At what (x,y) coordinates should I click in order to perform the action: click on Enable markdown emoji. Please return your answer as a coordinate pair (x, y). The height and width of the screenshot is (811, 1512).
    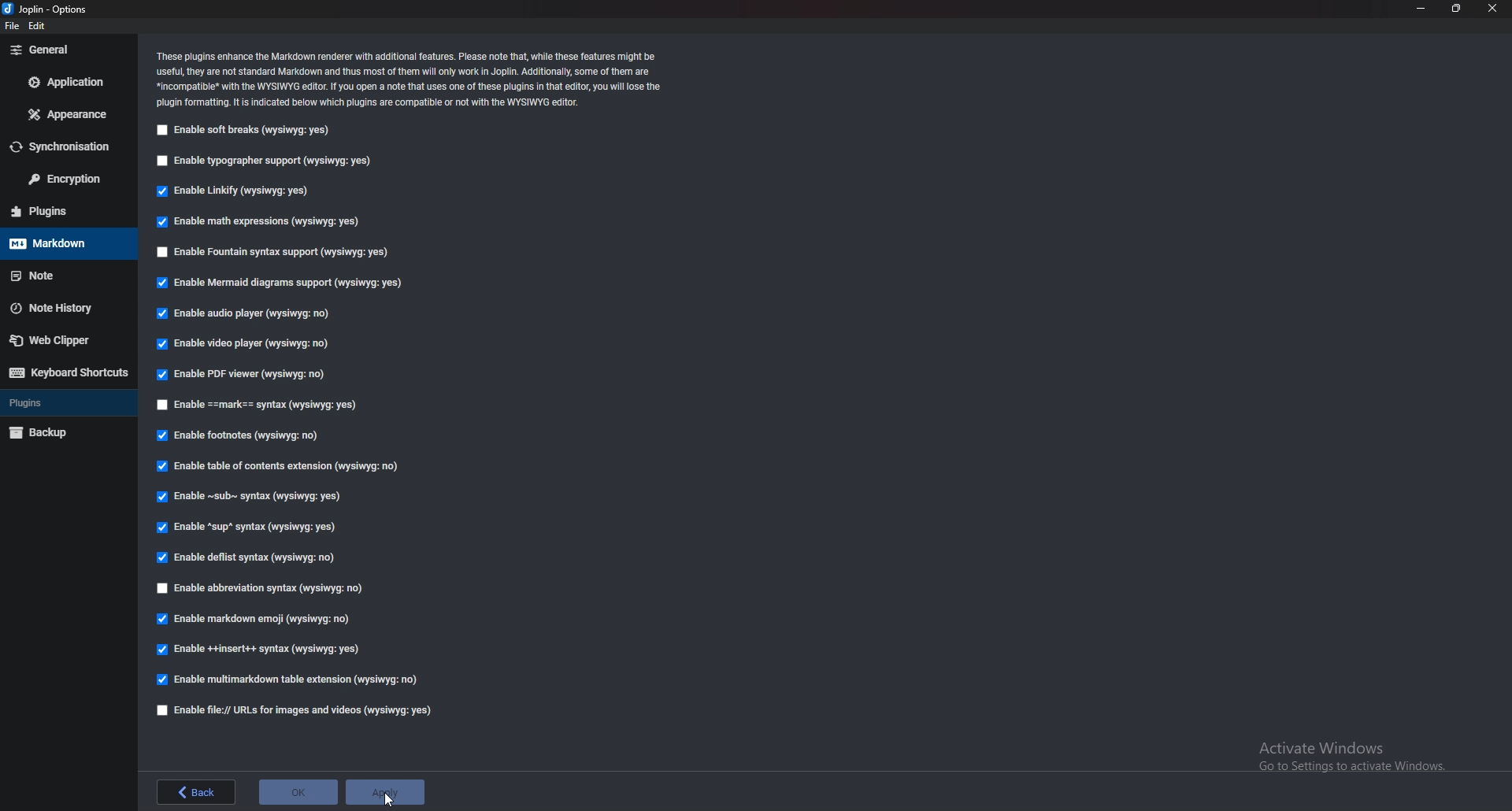
    Looking at the image, I should click on (259, 617).